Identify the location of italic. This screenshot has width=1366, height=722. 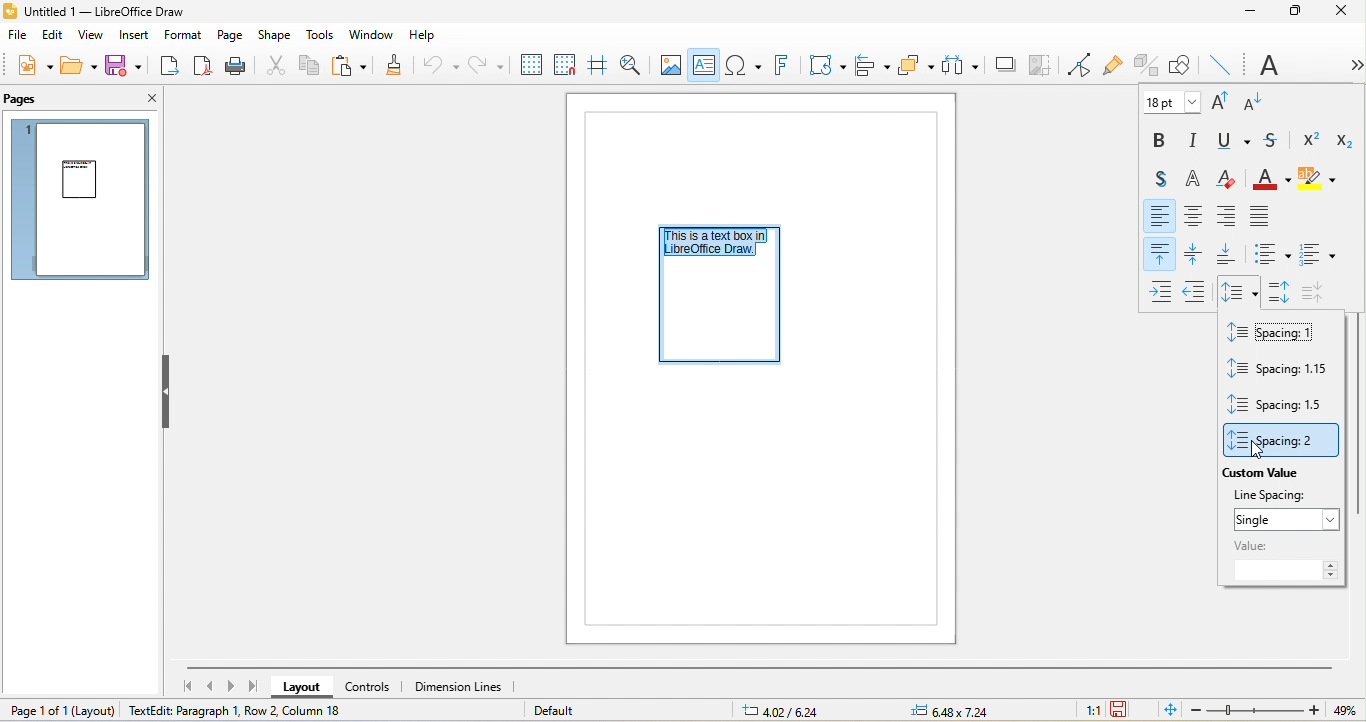
(1199, 139).